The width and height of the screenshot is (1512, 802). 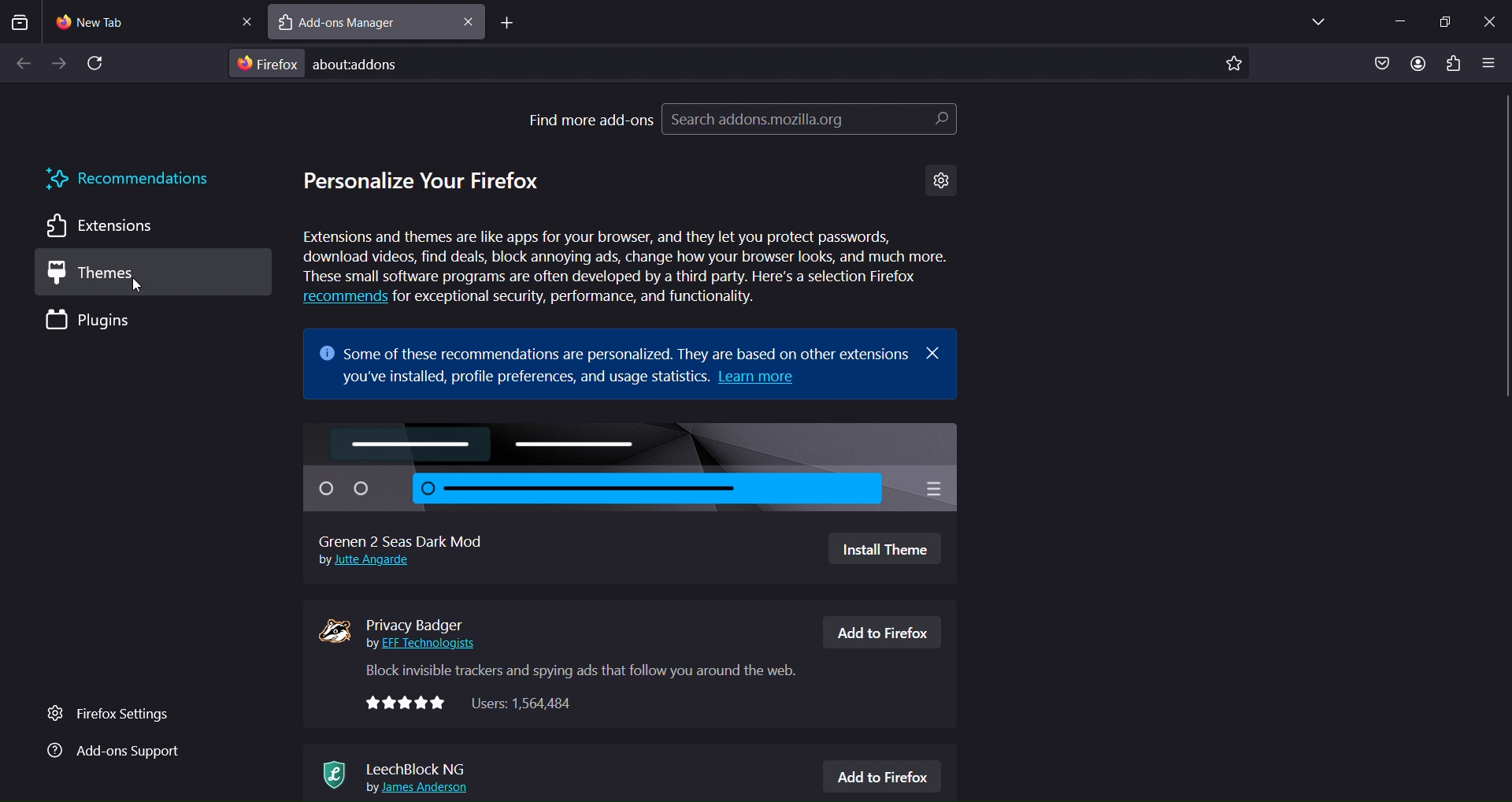 I want to click on close, so click(x=935, y=353).